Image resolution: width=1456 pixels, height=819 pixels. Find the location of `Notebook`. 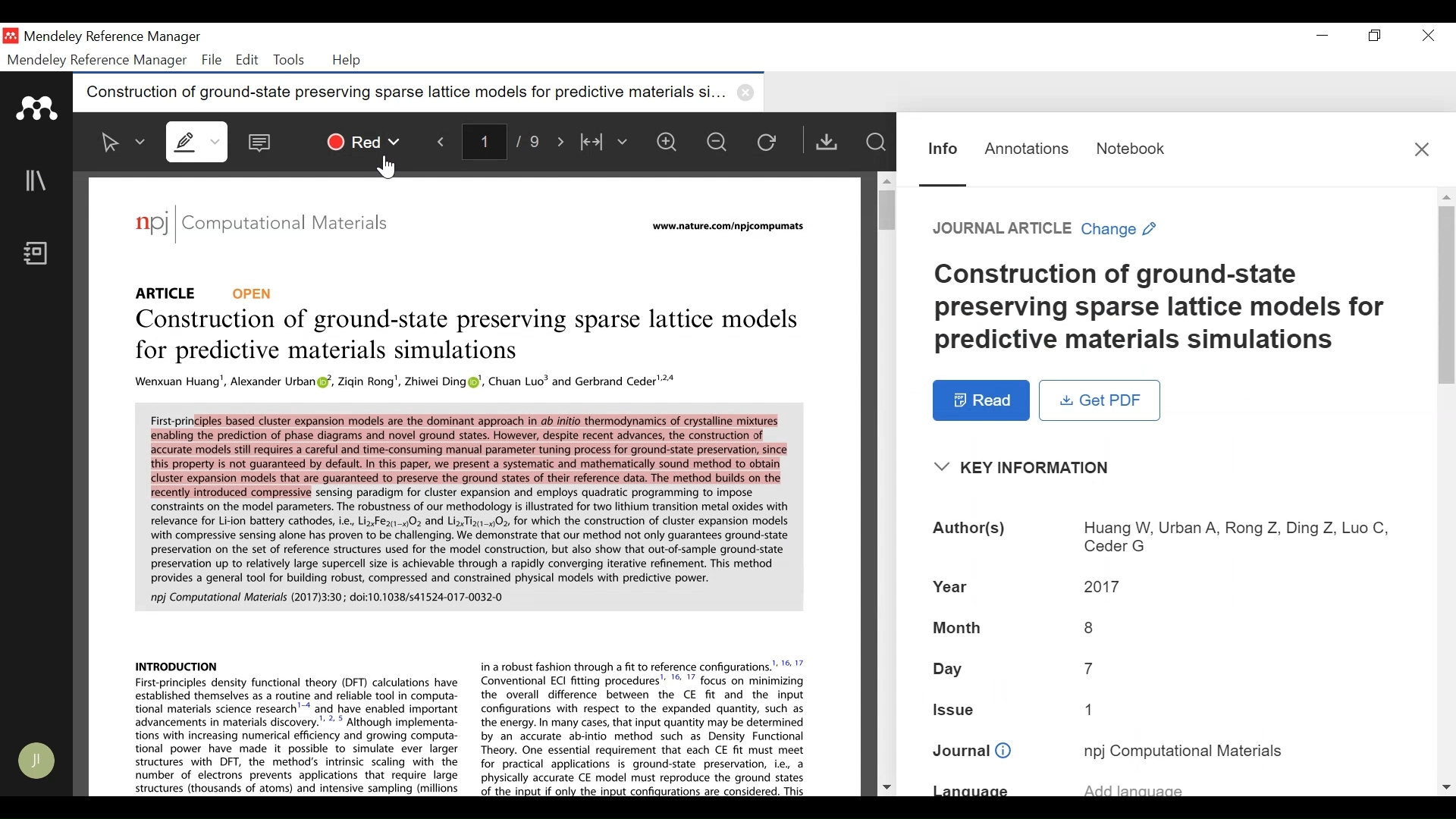

Notebook is located at coordinates (38, 255).